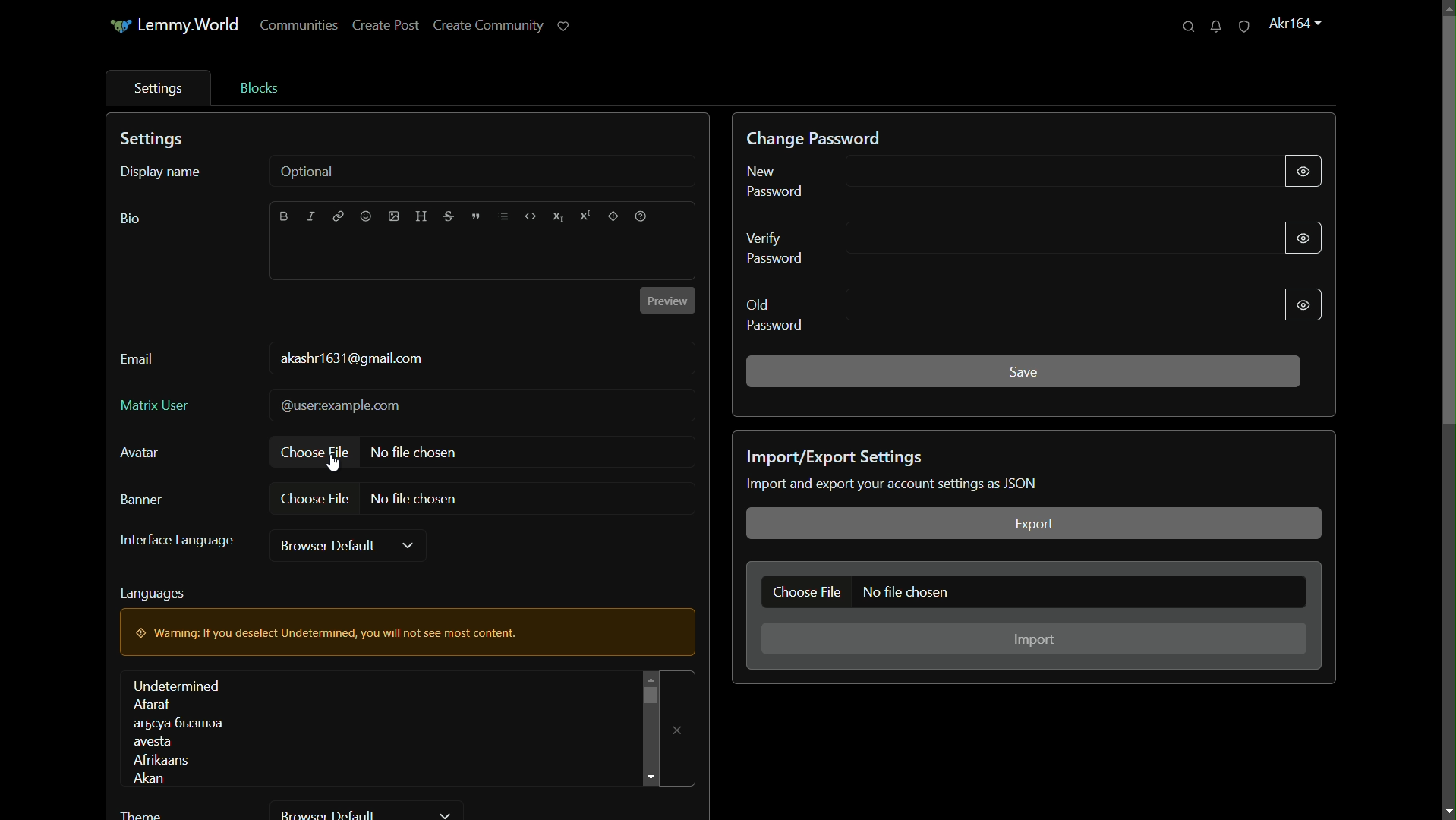 The width and height of the screenshot is (1456, 820). What do you see at coordinates (342, 406) in the screenshot?
I see `@userexample.com` at bounding box center [342, 406].